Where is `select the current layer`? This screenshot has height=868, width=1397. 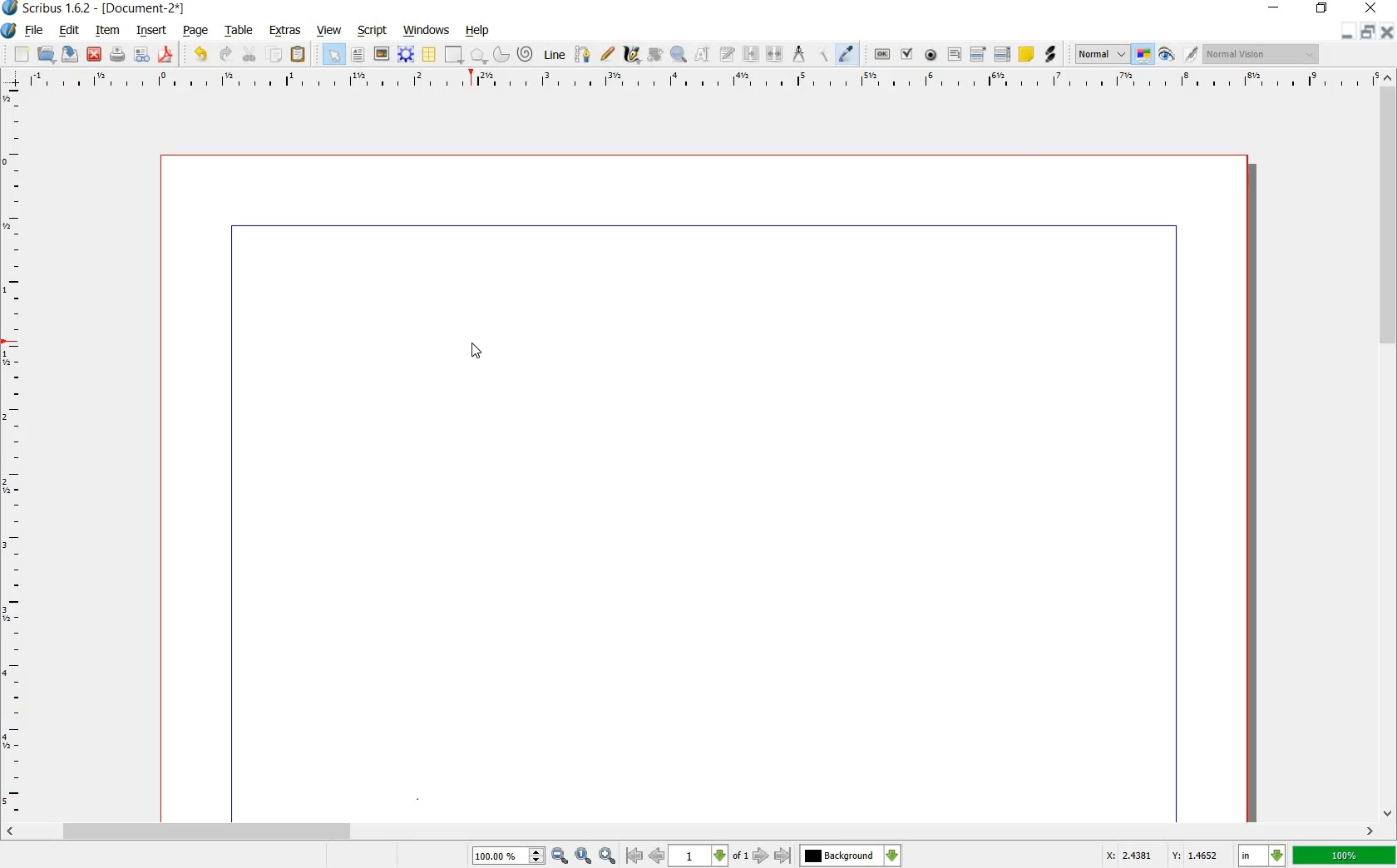 select the current layer is located at coordinates (851, 856).